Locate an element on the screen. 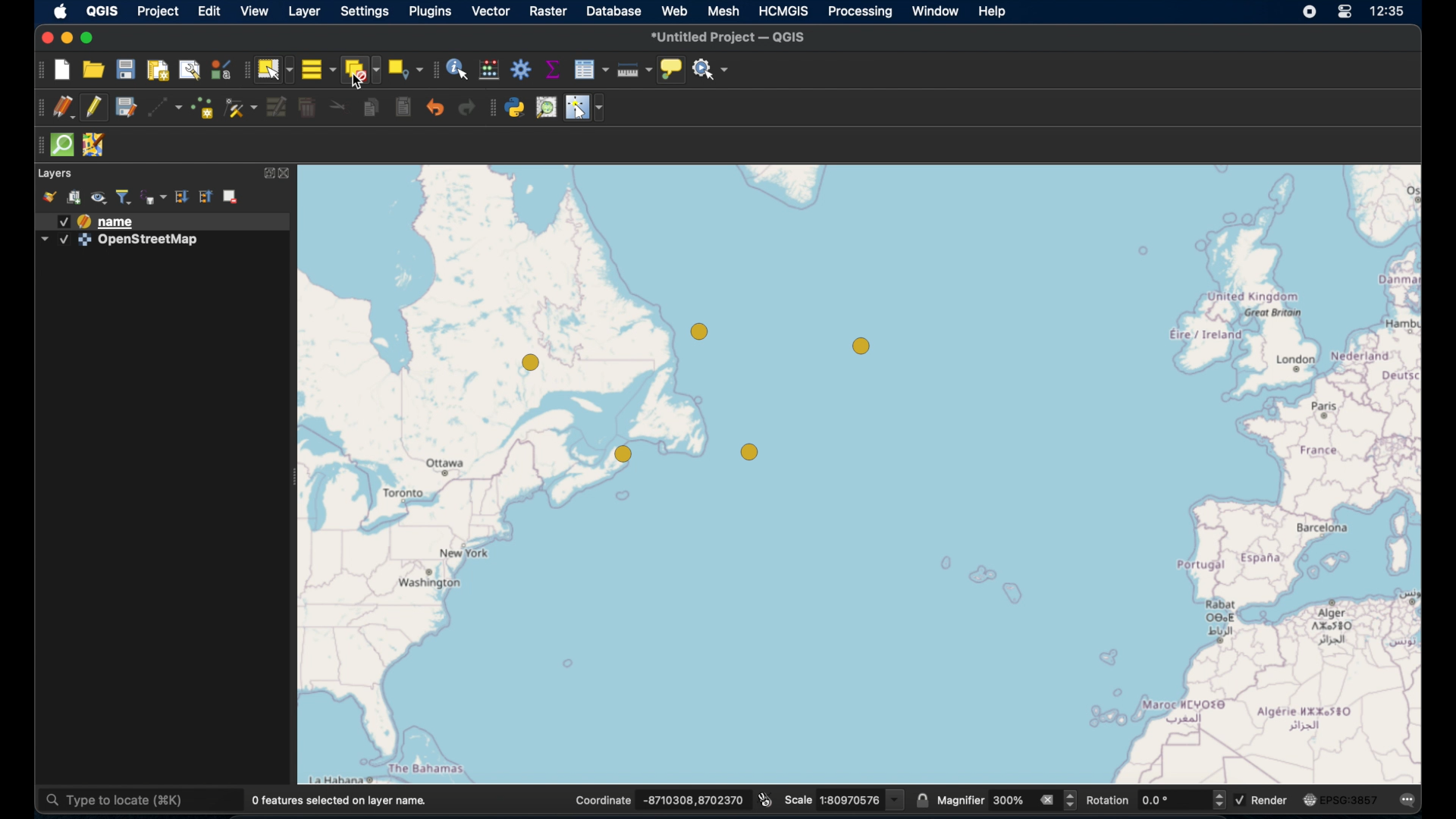 This screenshot has width=1456, height=819. create new is located at coordinates (64, 70).